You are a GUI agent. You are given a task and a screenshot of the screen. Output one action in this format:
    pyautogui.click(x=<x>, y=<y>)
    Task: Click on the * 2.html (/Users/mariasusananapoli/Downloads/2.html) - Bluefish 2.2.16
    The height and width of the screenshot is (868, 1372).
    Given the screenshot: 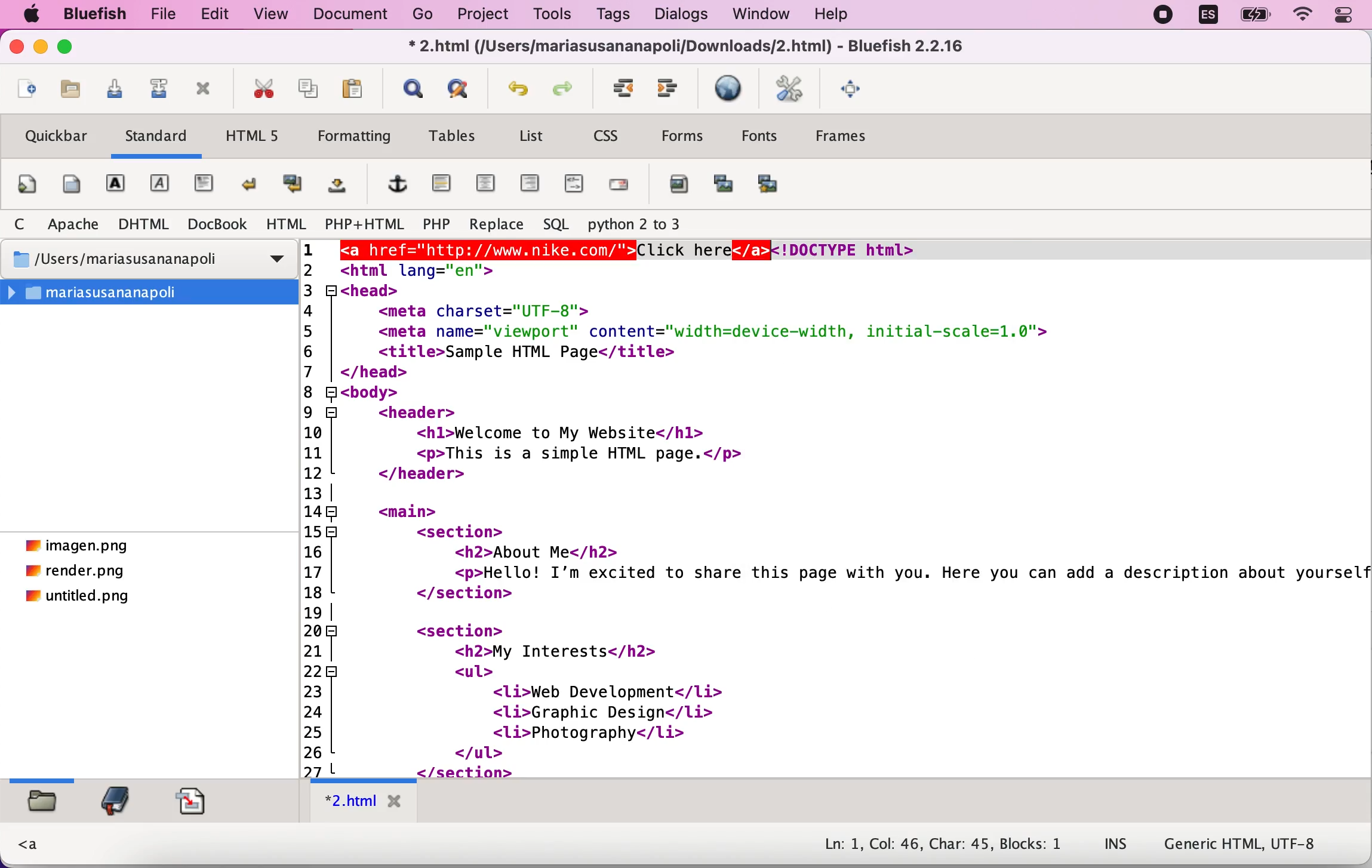 What is the action you would take?
    pyautogui.click(x=690, y=48)
    